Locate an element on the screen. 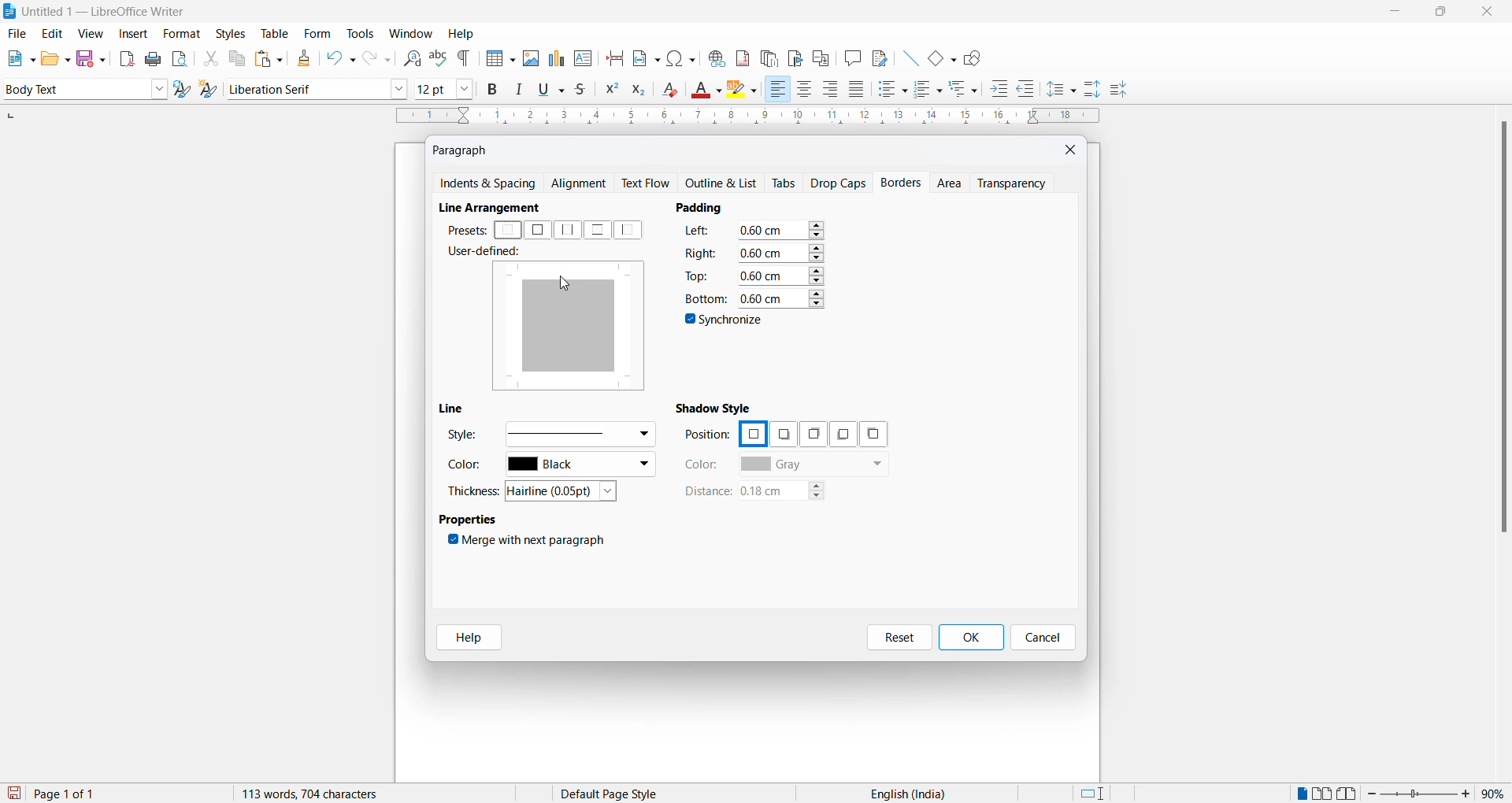  transparency is located at coordinates (1017, 183).